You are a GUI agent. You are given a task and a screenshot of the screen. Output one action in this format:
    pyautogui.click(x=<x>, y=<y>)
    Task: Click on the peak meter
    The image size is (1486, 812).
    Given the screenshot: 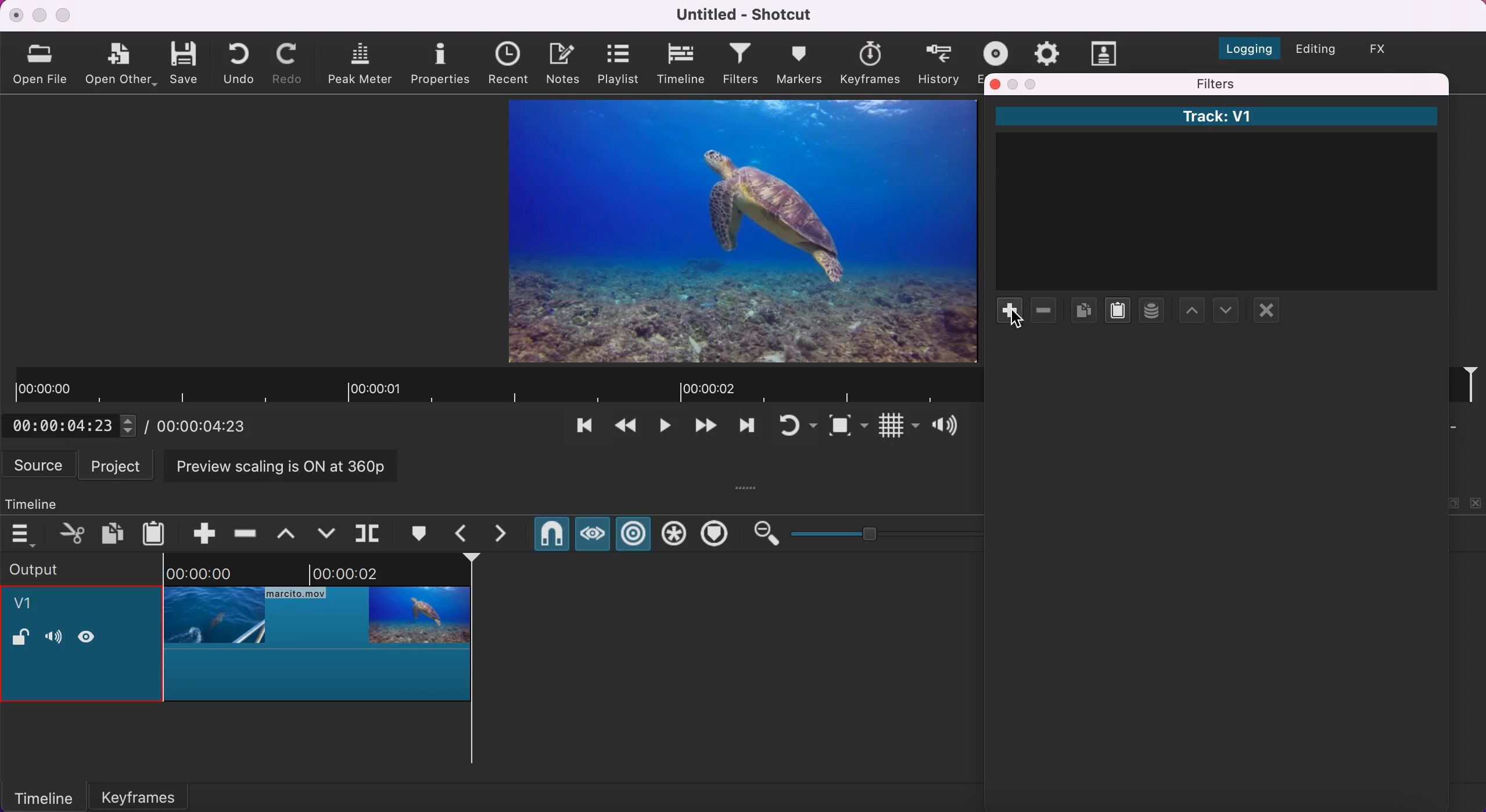 What is the action you would take?
    pyautogui.click(x=362, y=64)
    